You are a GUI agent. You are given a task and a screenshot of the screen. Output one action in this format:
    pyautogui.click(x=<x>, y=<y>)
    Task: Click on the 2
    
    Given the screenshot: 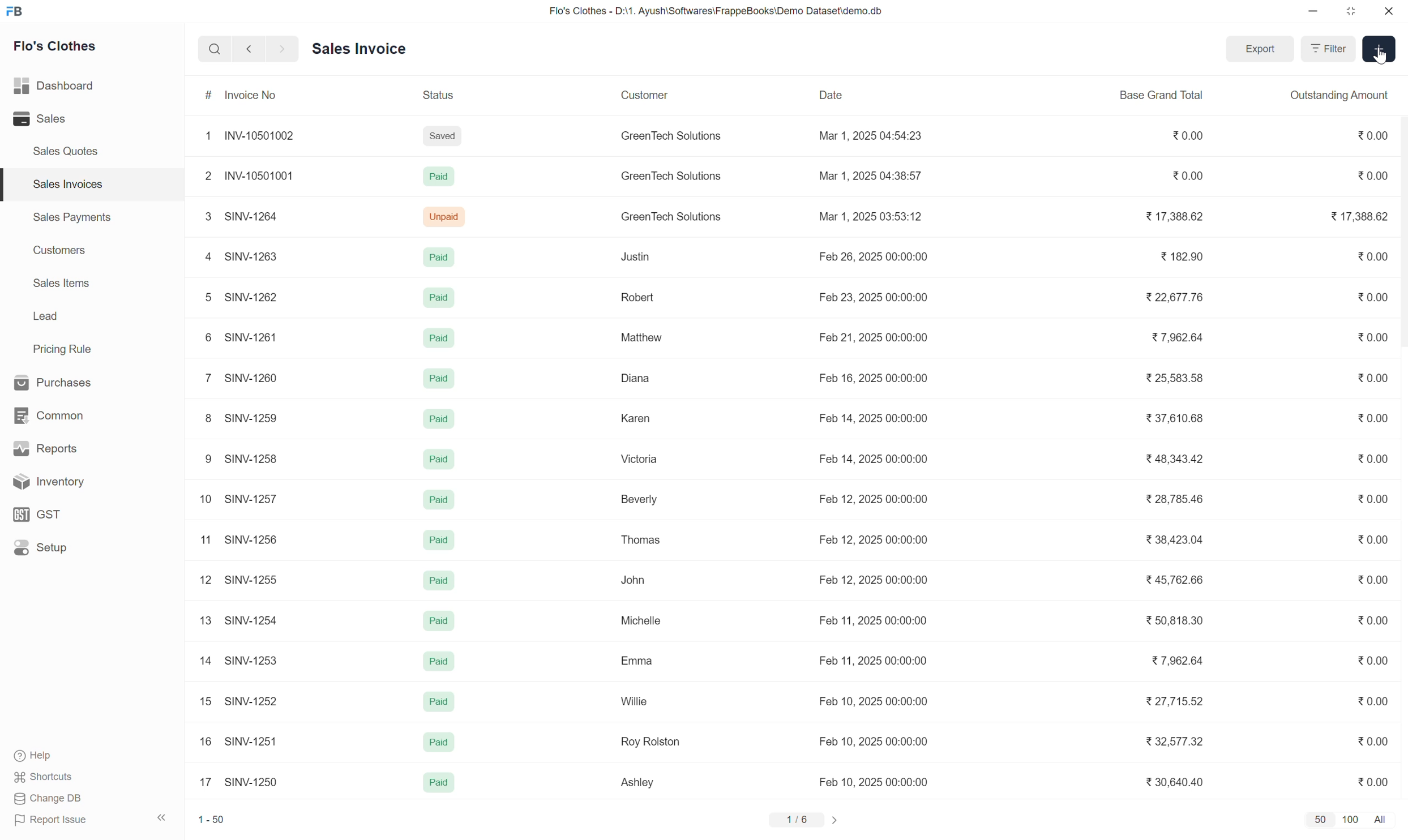 What is the action you would take?
    pyautogui.click(x=206, y=178)
    